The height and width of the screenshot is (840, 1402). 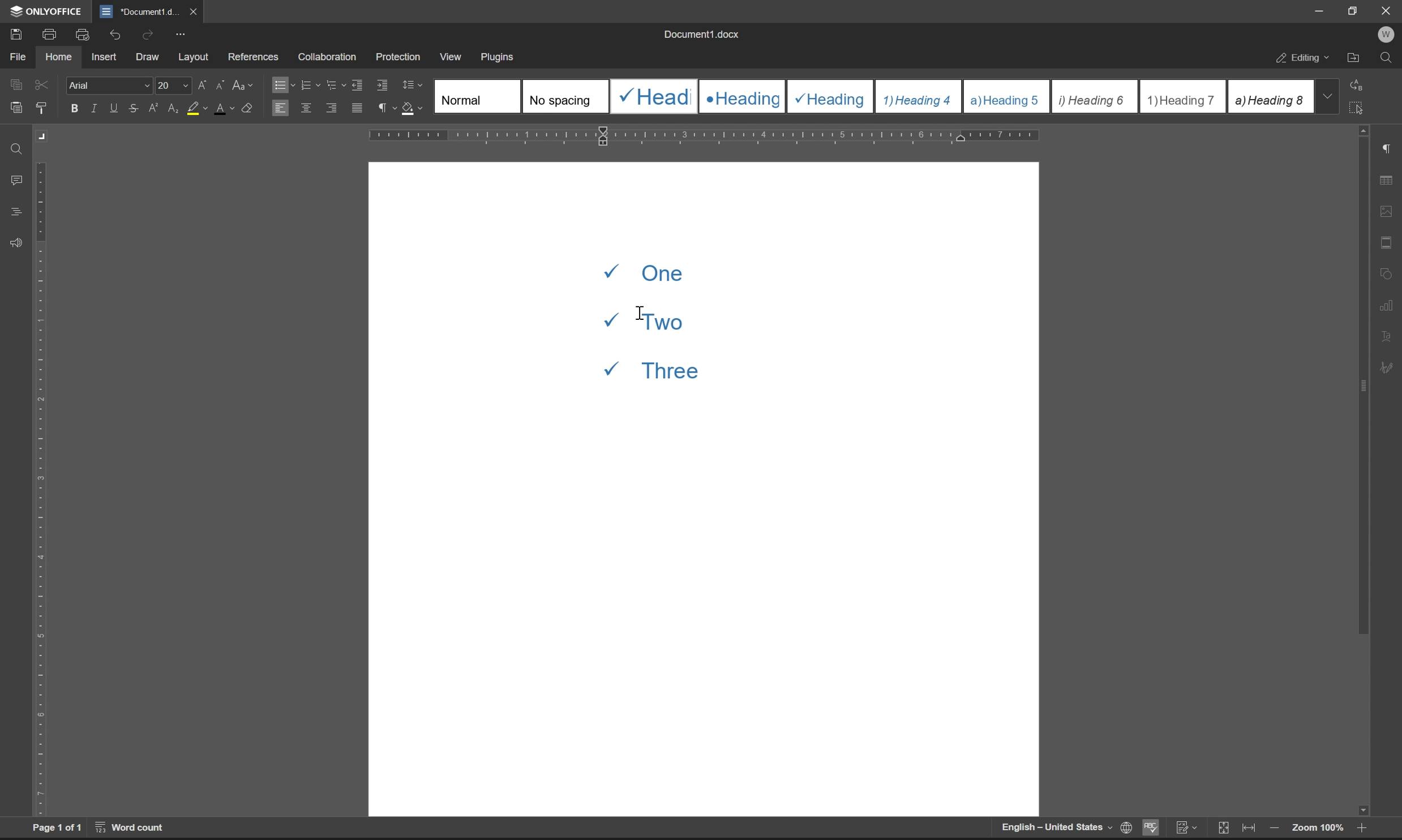 What do you see at coordinates (135, 108) in the screenshot?
I see `strikethrough` at bounding box center [135, 108].